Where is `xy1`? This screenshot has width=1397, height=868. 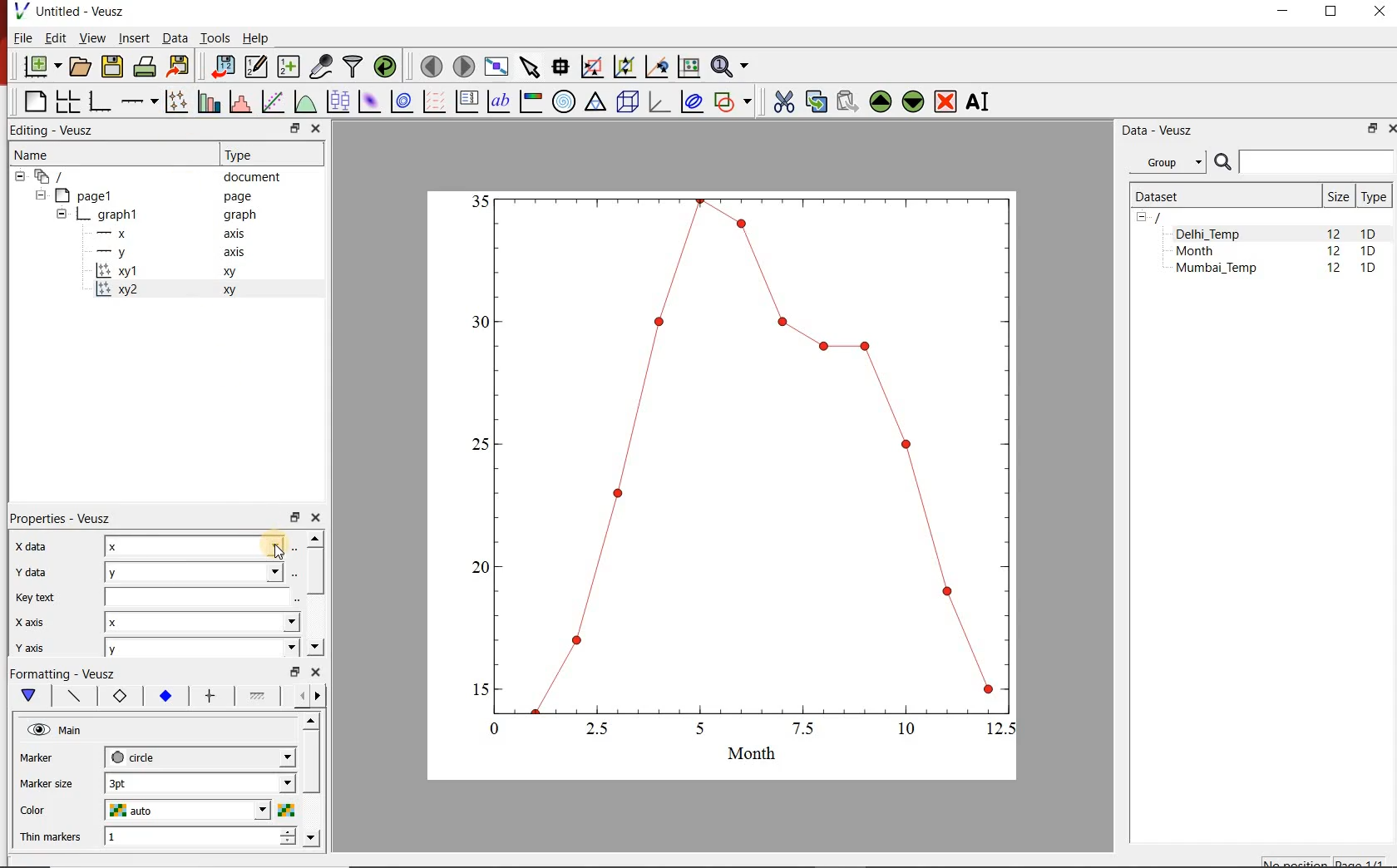
xy1 is located at coordinates (174, 272).